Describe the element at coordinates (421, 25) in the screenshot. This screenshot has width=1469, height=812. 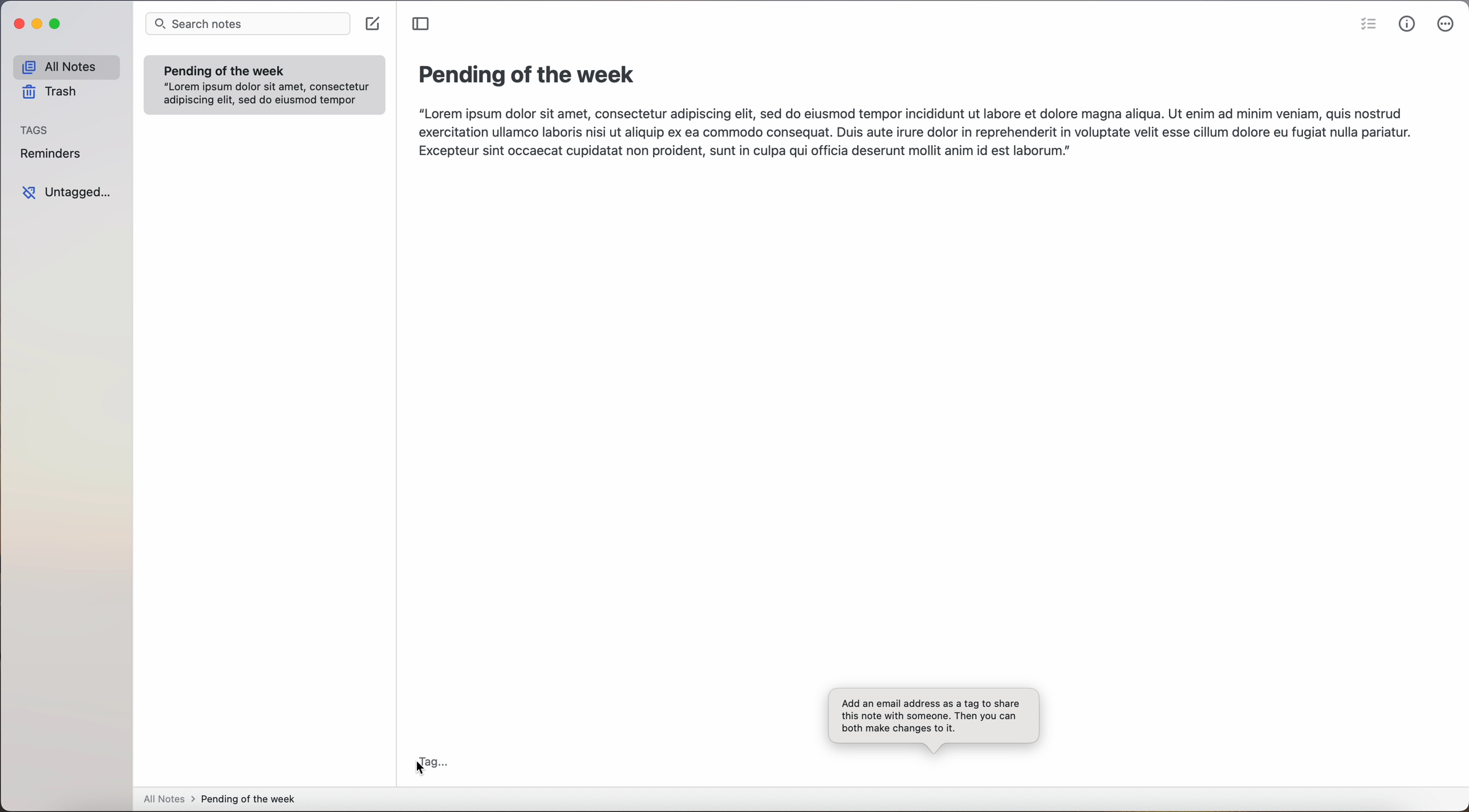
I see `toggle sidebar` at that location.